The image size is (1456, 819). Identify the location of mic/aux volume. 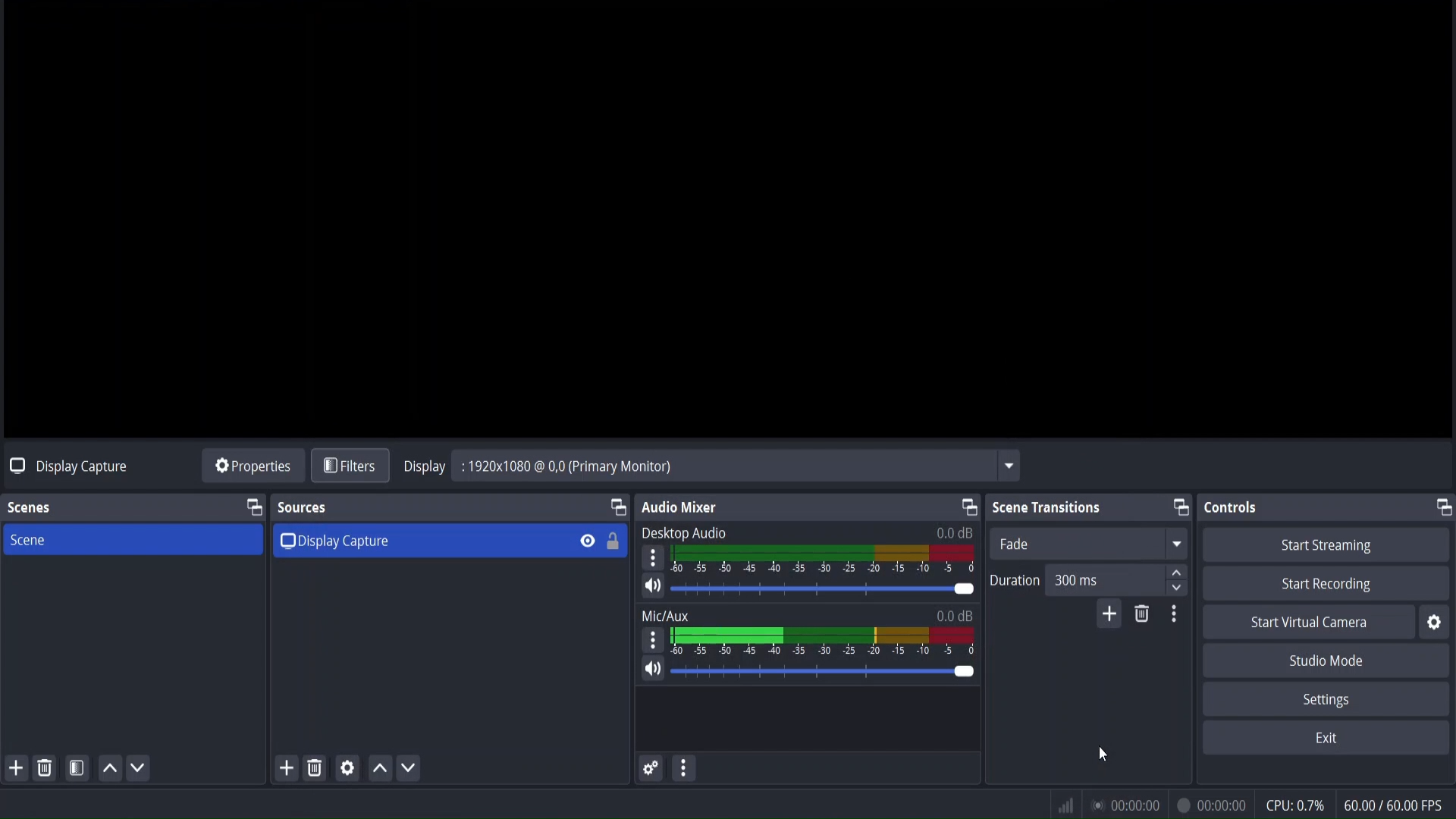
(824, 641).